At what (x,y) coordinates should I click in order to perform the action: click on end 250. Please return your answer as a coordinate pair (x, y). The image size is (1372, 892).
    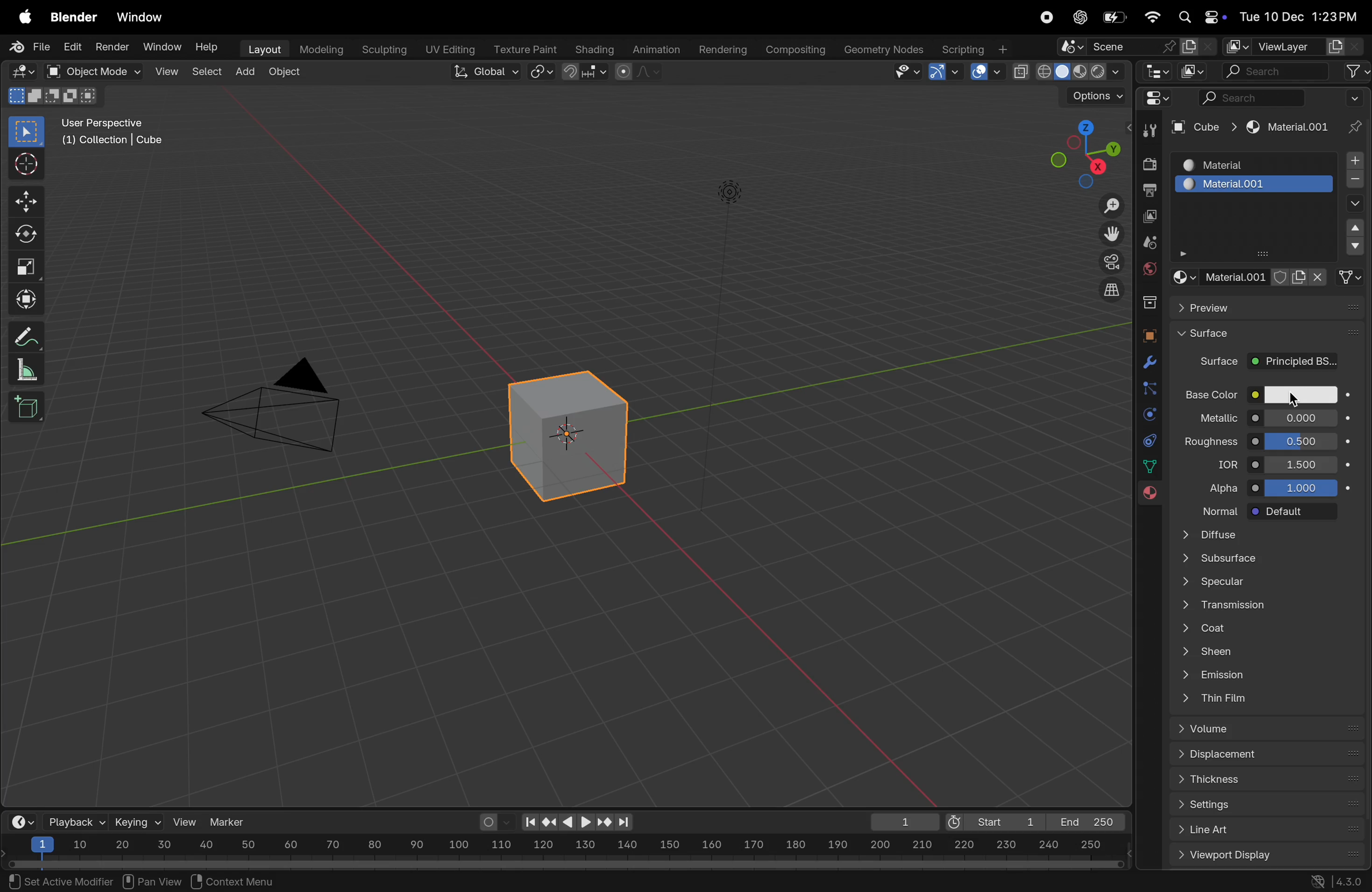
    Looking at the image, I should click on (1084, 822).